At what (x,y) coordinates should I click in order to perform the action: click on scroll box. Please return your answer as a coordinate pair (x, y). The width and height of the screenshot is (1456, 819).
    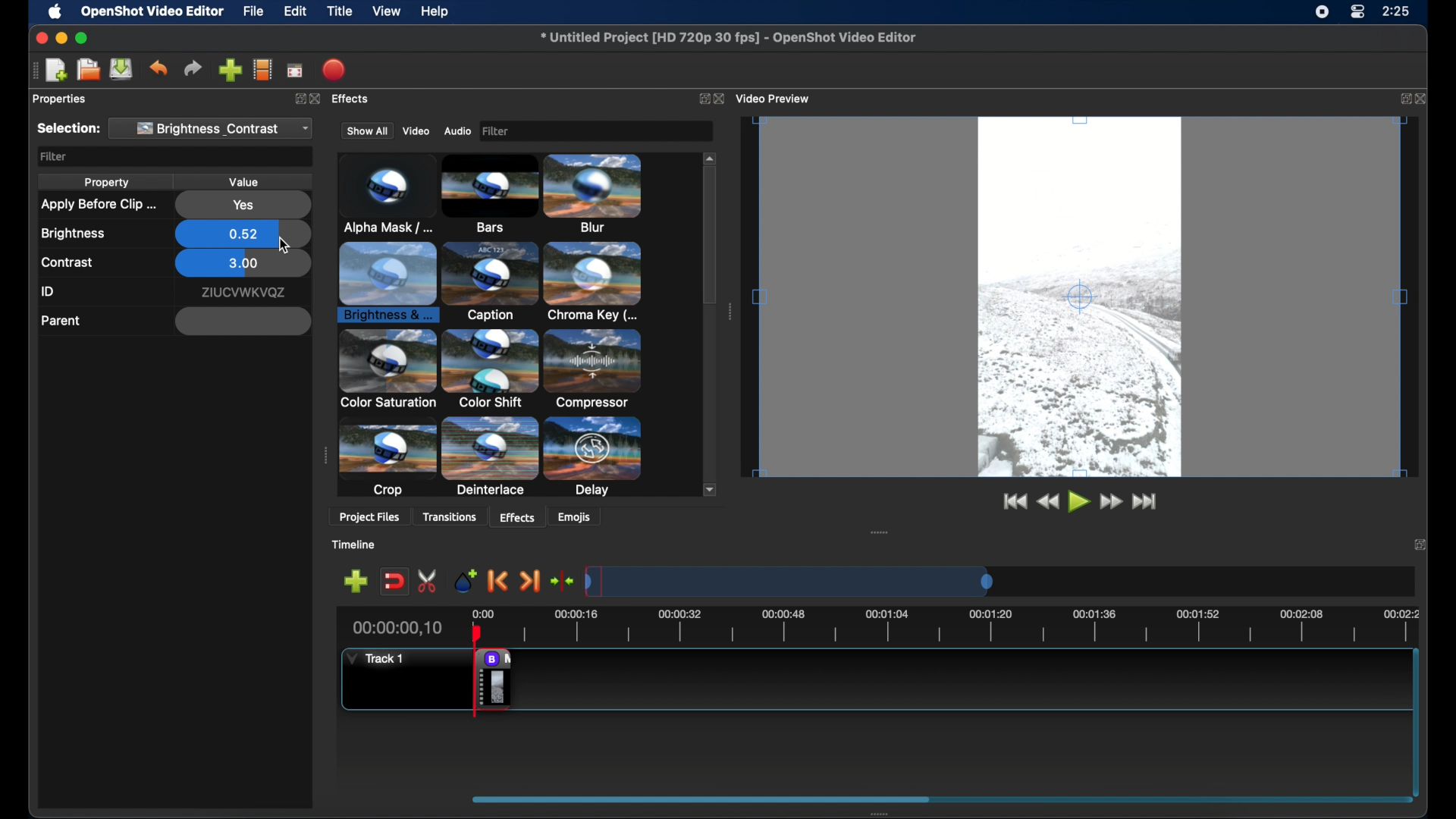
    Looking at the image, I should click on (808, 798).